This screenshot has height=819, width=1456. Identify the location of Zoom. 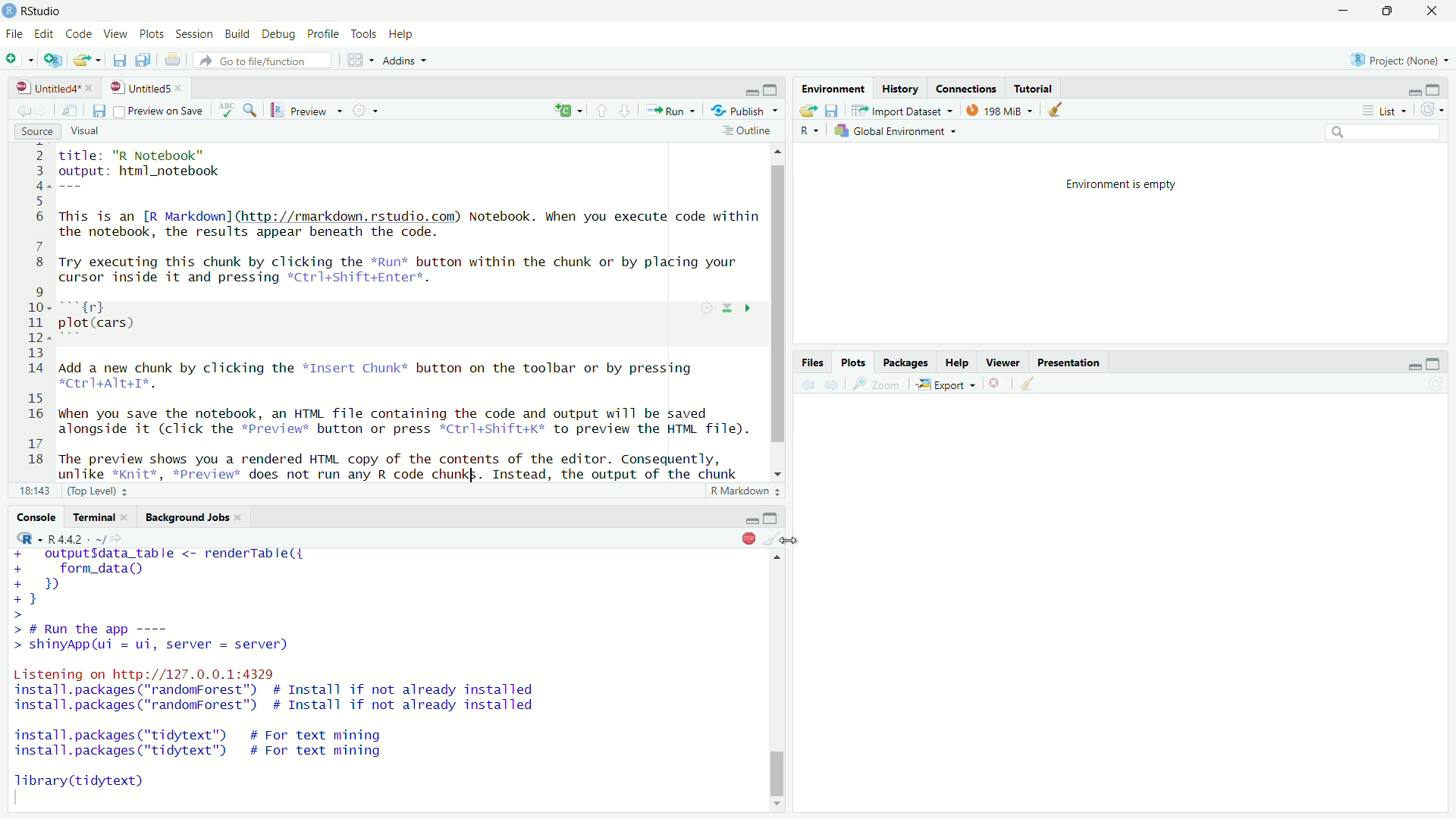
(877, 385).